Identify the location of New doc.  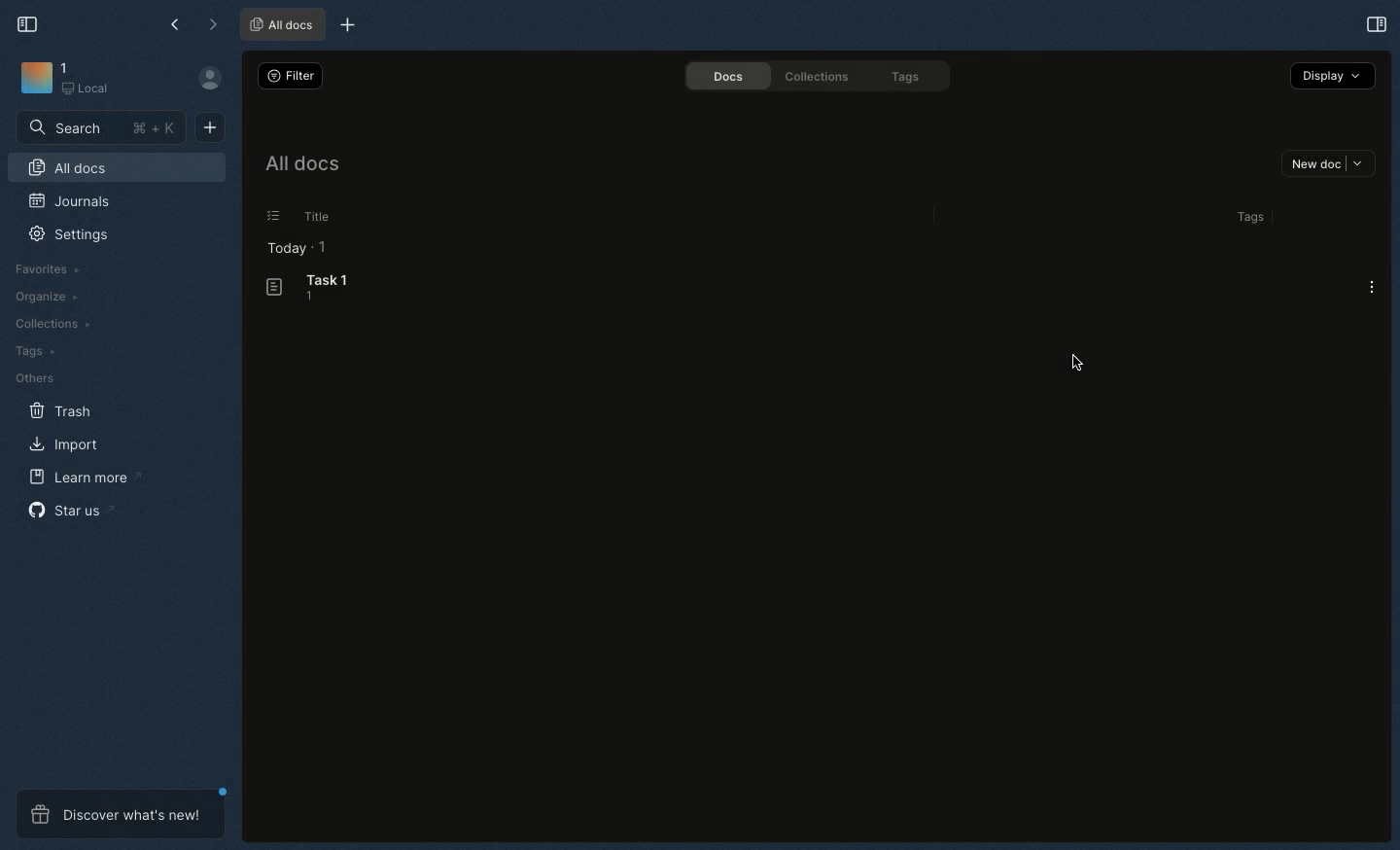
(1331, 165).